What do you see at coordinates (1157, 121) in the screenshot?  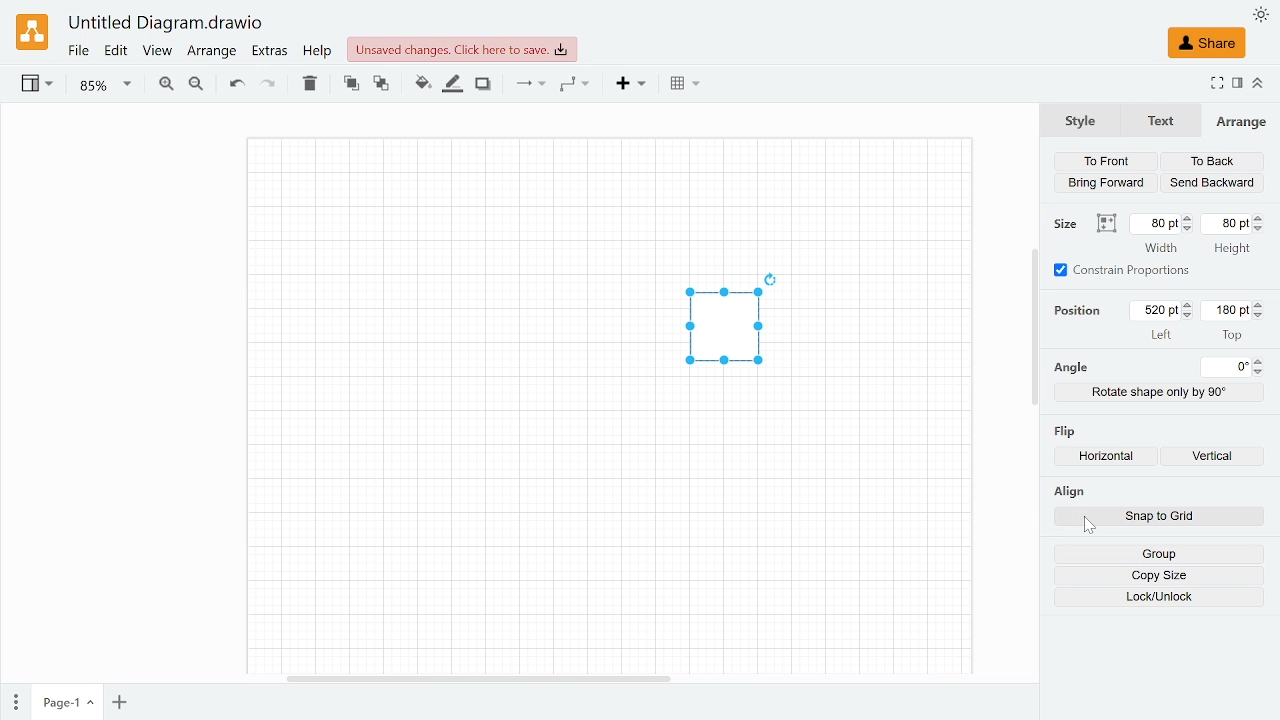 I see `Text` at bounding box center [1157, 121].